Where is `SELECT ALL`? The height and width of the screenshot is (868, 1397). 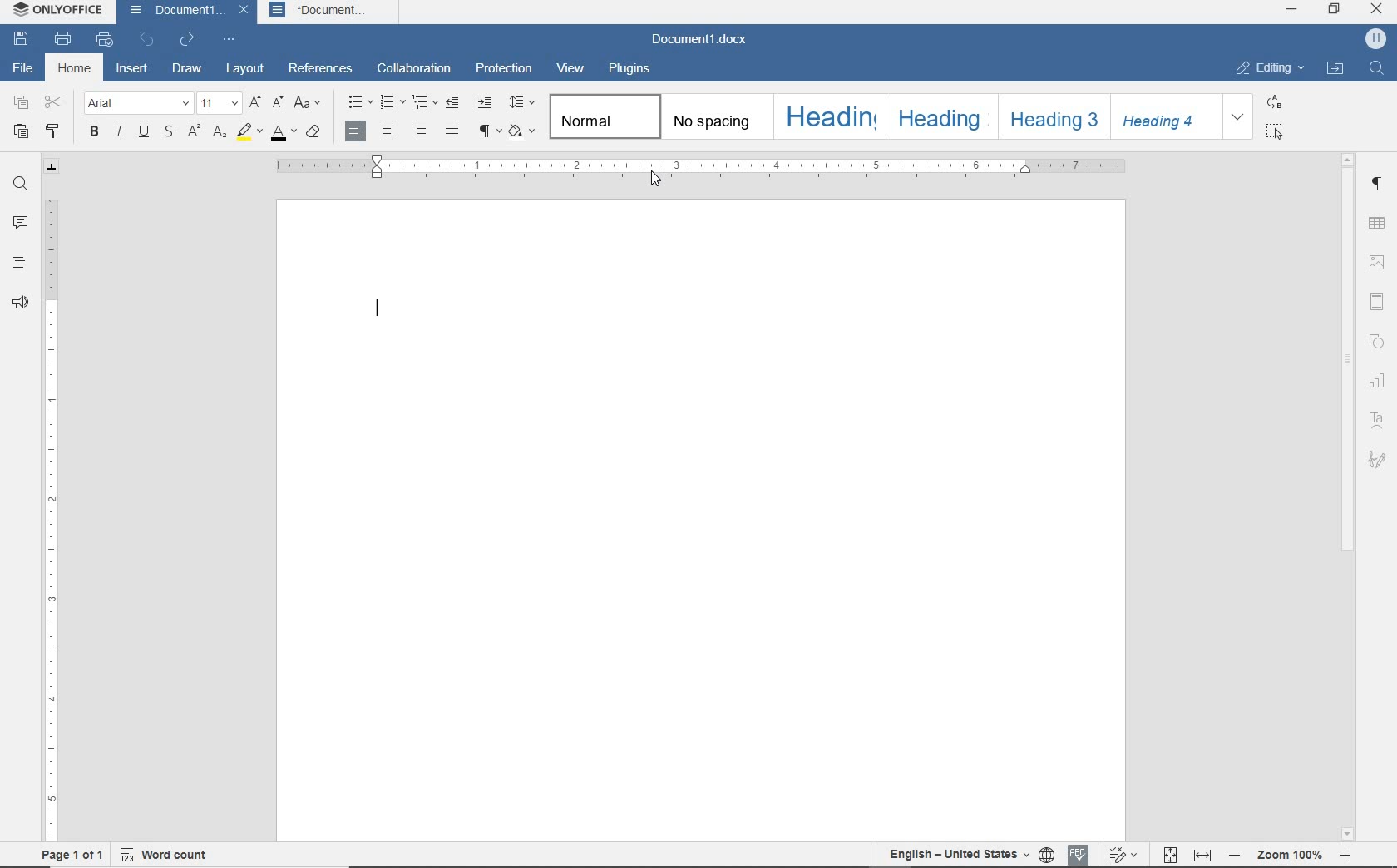
SELECT ALL is located at coordinates (1276, 132).